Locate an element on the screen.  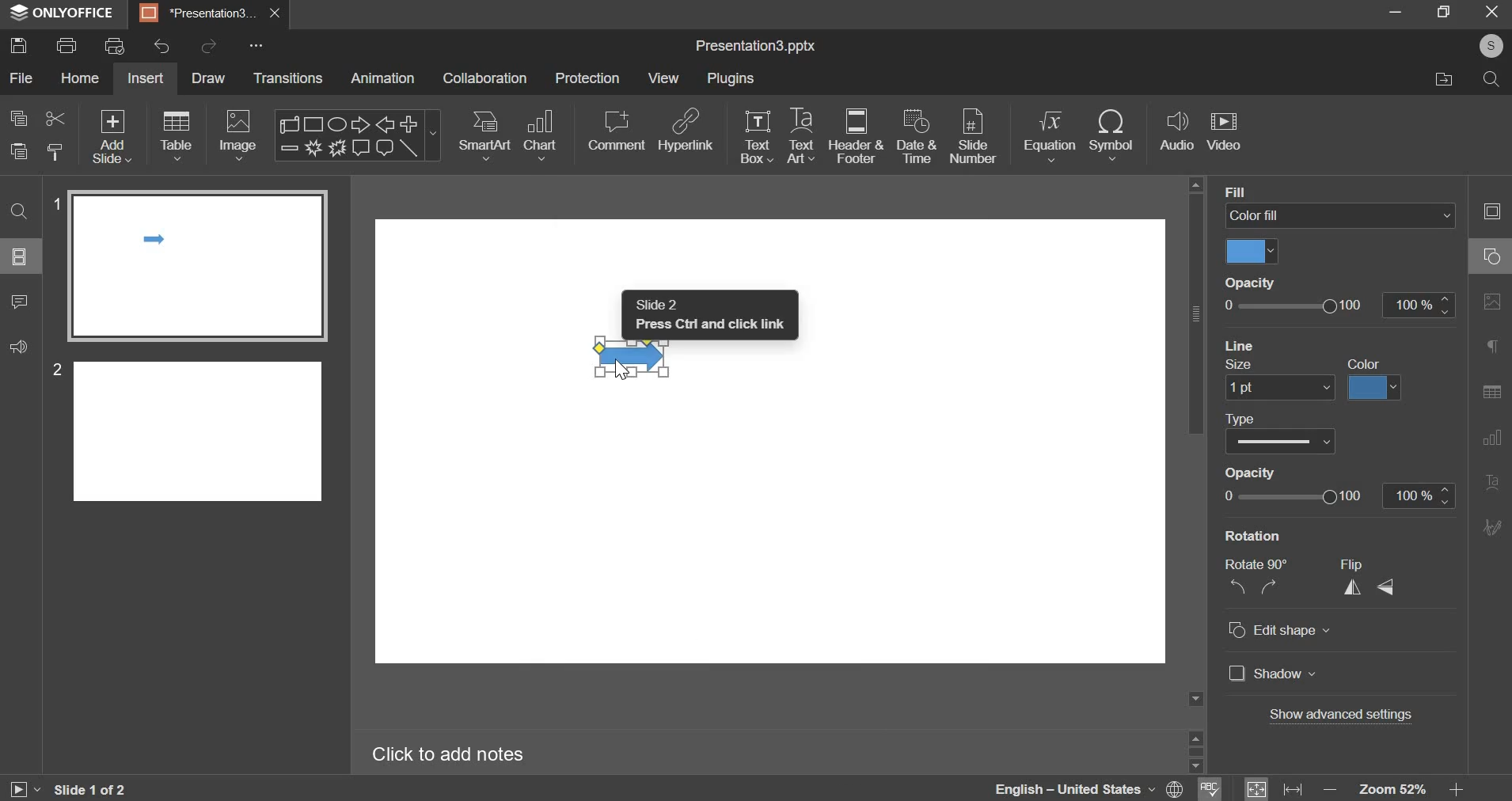
comment is located at coordinates (21, 302).